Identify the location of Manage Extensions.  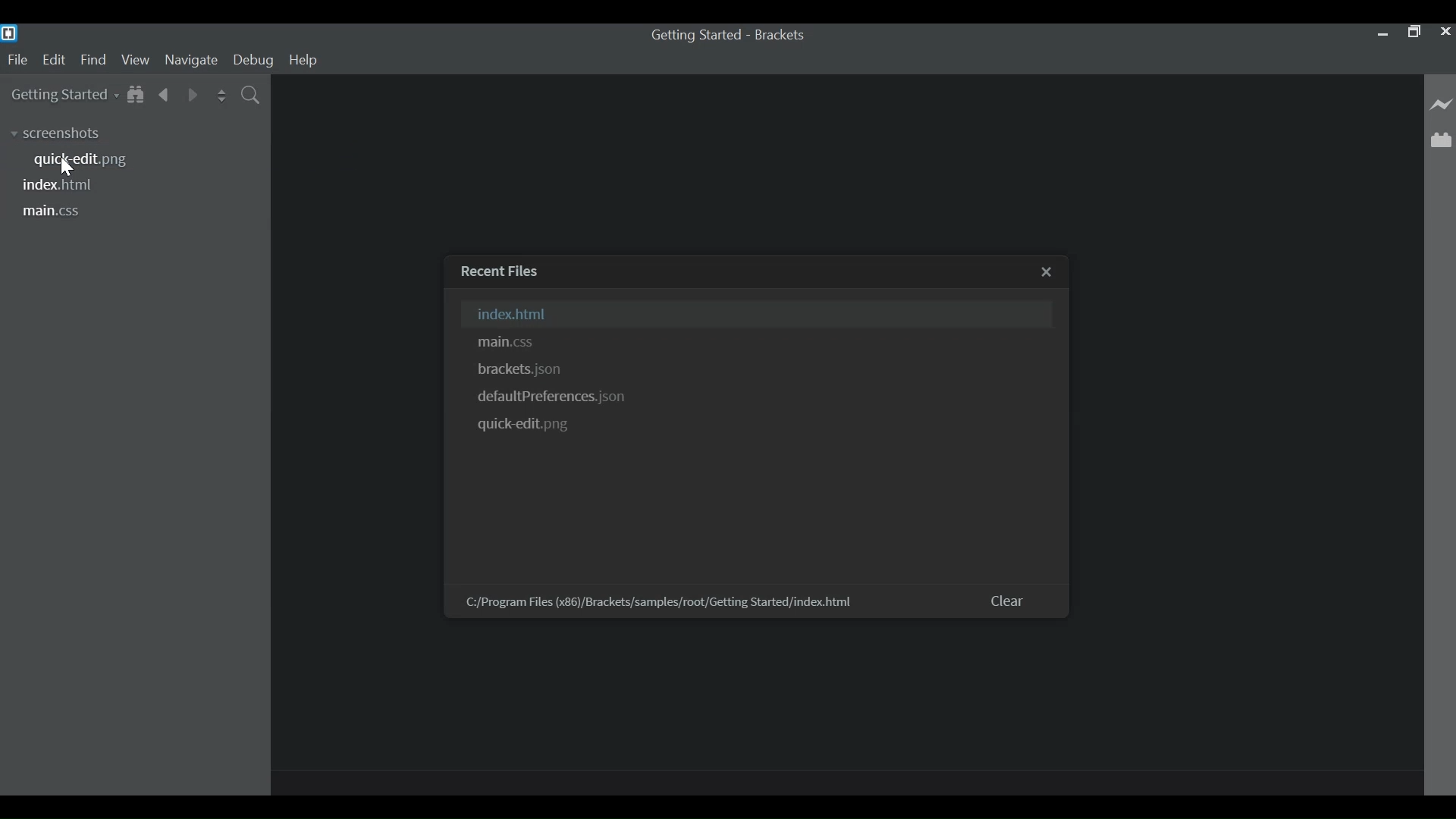
(1441, 140).